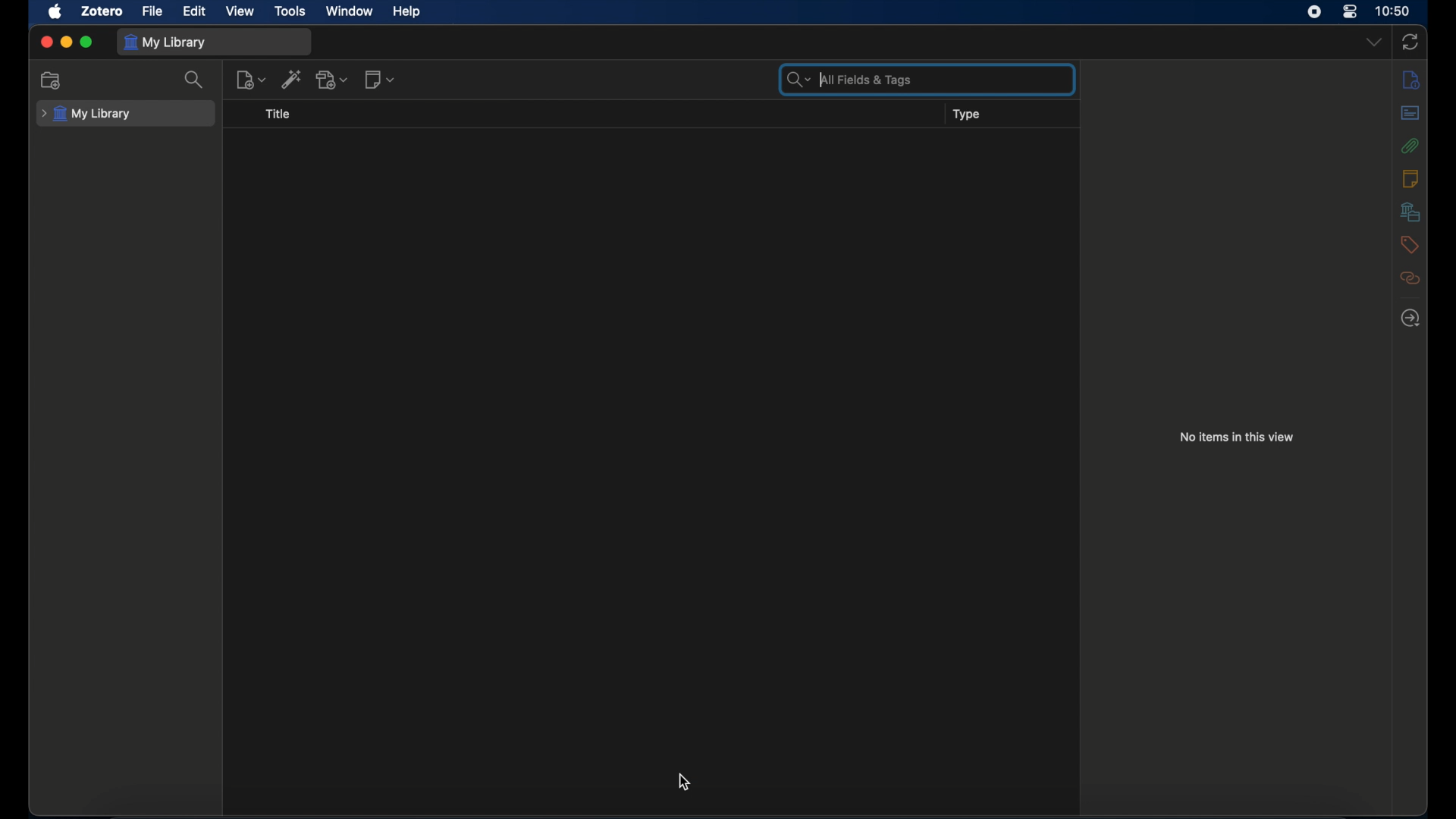 The width and height of the screenshot is (1456, 819). I want to click on libraries, so click(1410, 212).